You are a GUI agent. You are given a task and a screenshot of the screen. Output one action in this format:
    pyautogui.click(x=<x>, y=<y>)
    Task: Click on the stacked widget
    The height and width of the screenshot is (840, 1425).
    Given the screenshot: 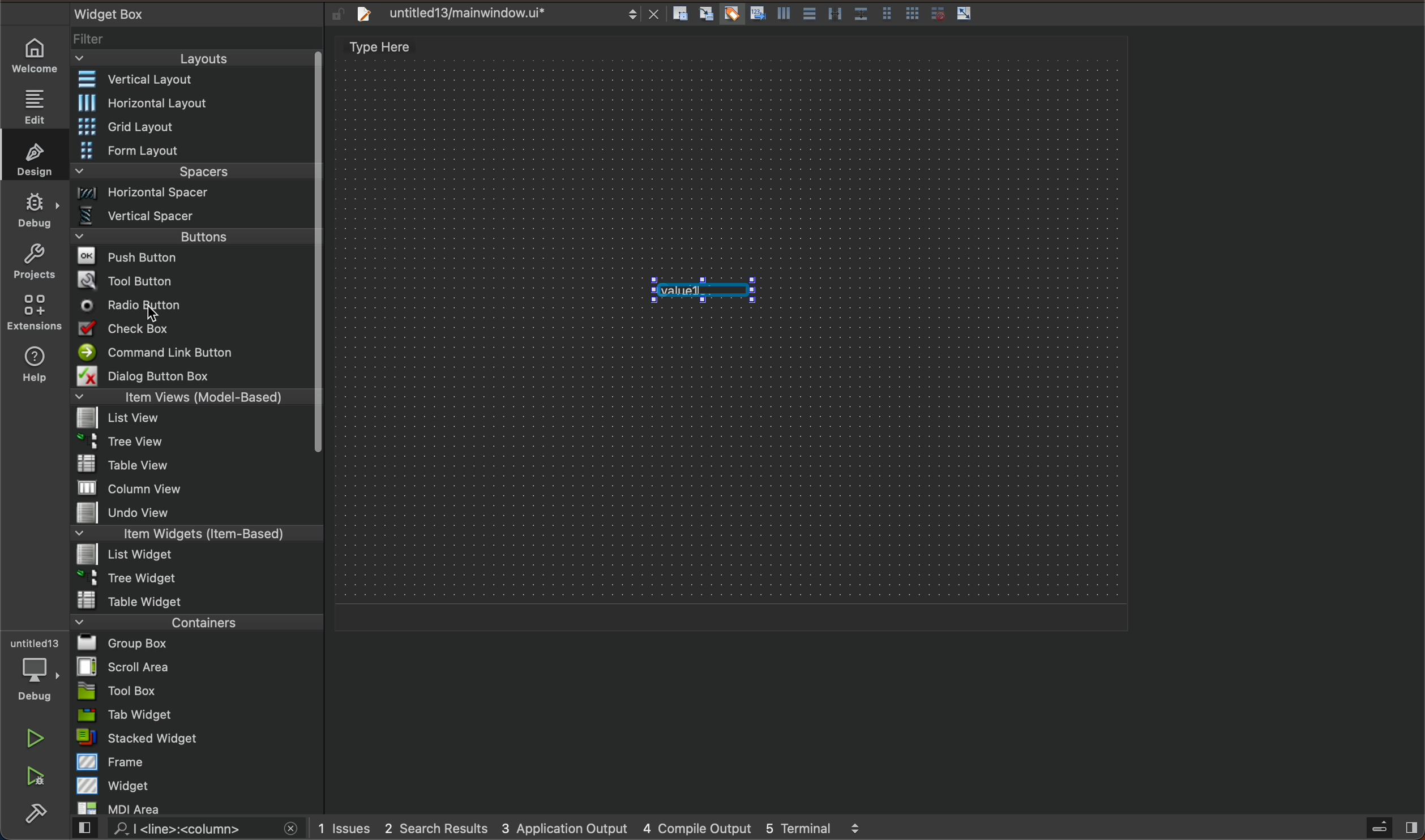 What is the action you would take?
    pyautogui.click(x=198, y=738)
    